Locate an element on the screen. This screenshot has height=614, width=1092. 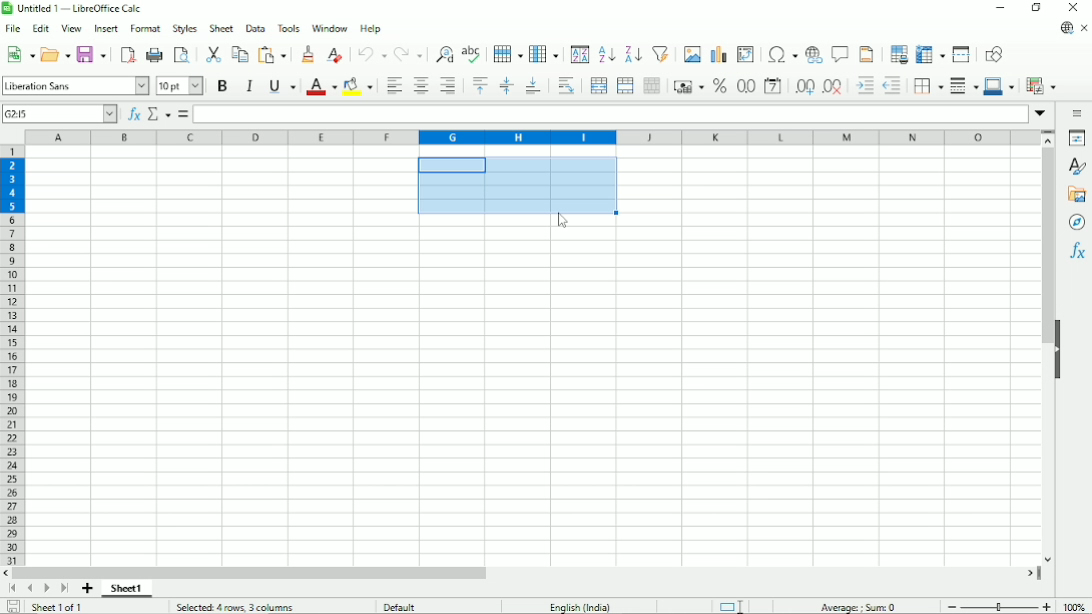
Toggle print preview is located at coordinates (183, 56).